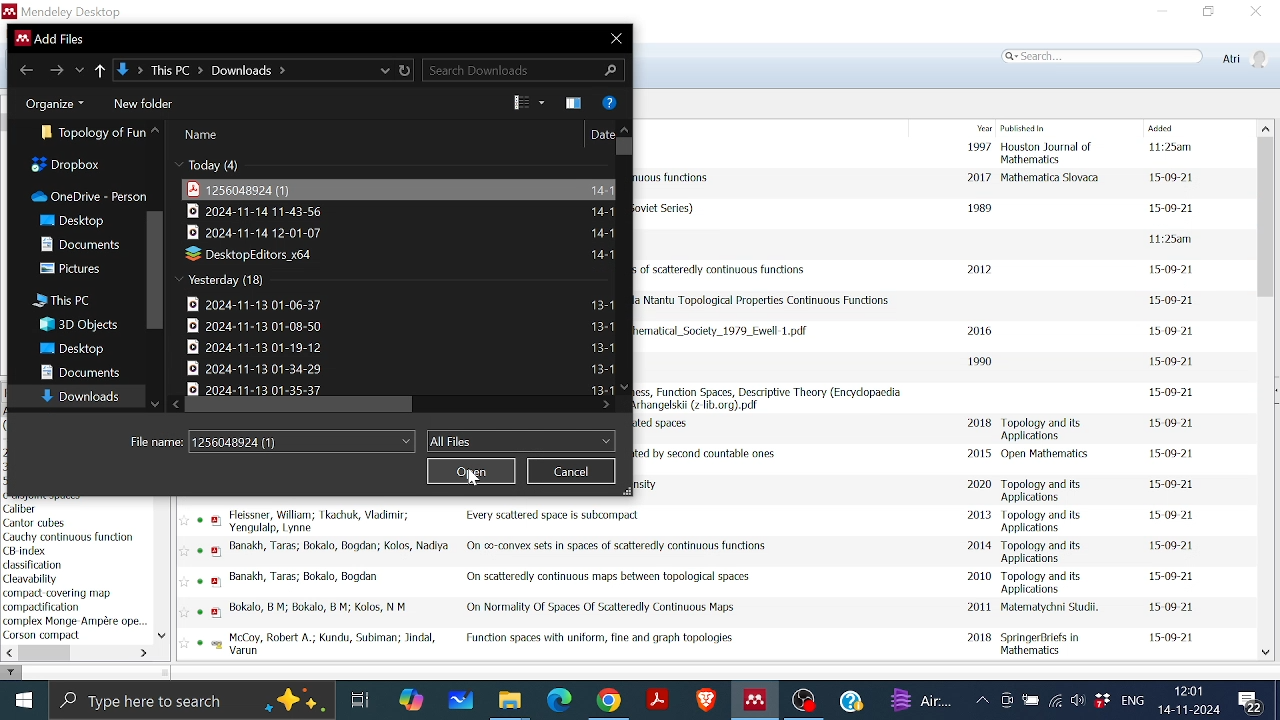 The width and height of the screenshot is (1280, 720). Describe the element at coordinates (82, 245) in the screenshot. I see `Dcouments` at that location.